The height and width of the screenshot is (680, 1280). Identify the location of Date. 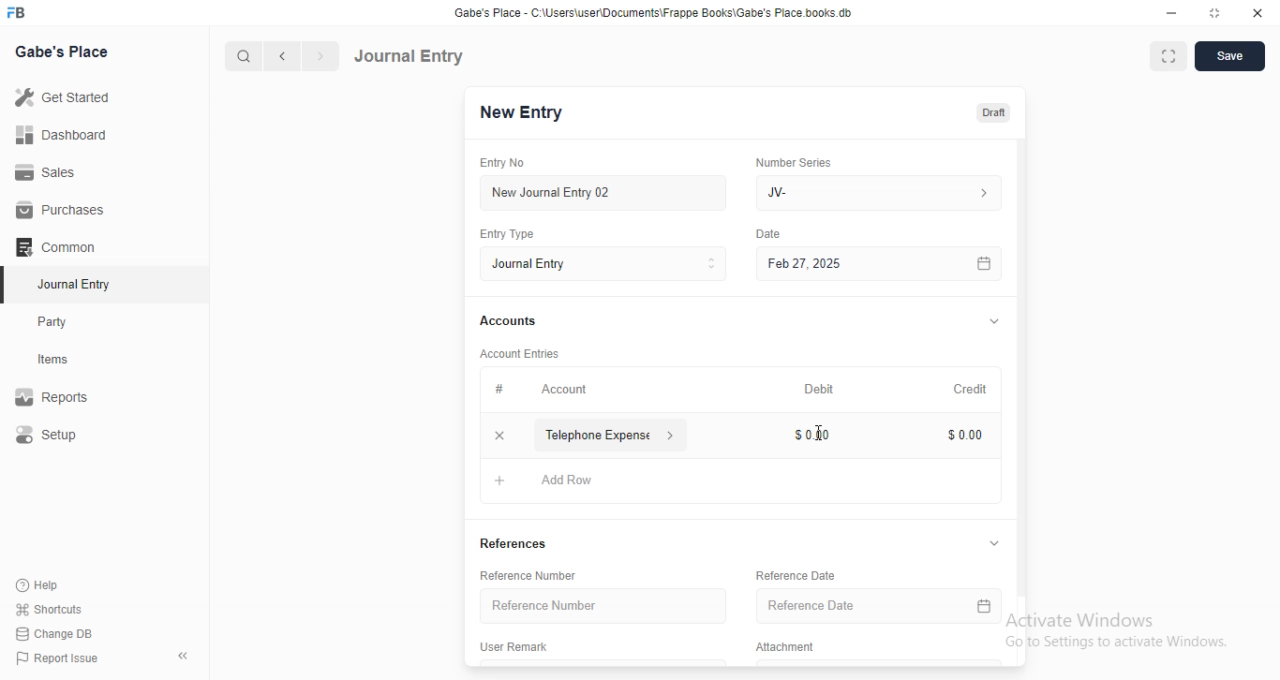
(772, 232).